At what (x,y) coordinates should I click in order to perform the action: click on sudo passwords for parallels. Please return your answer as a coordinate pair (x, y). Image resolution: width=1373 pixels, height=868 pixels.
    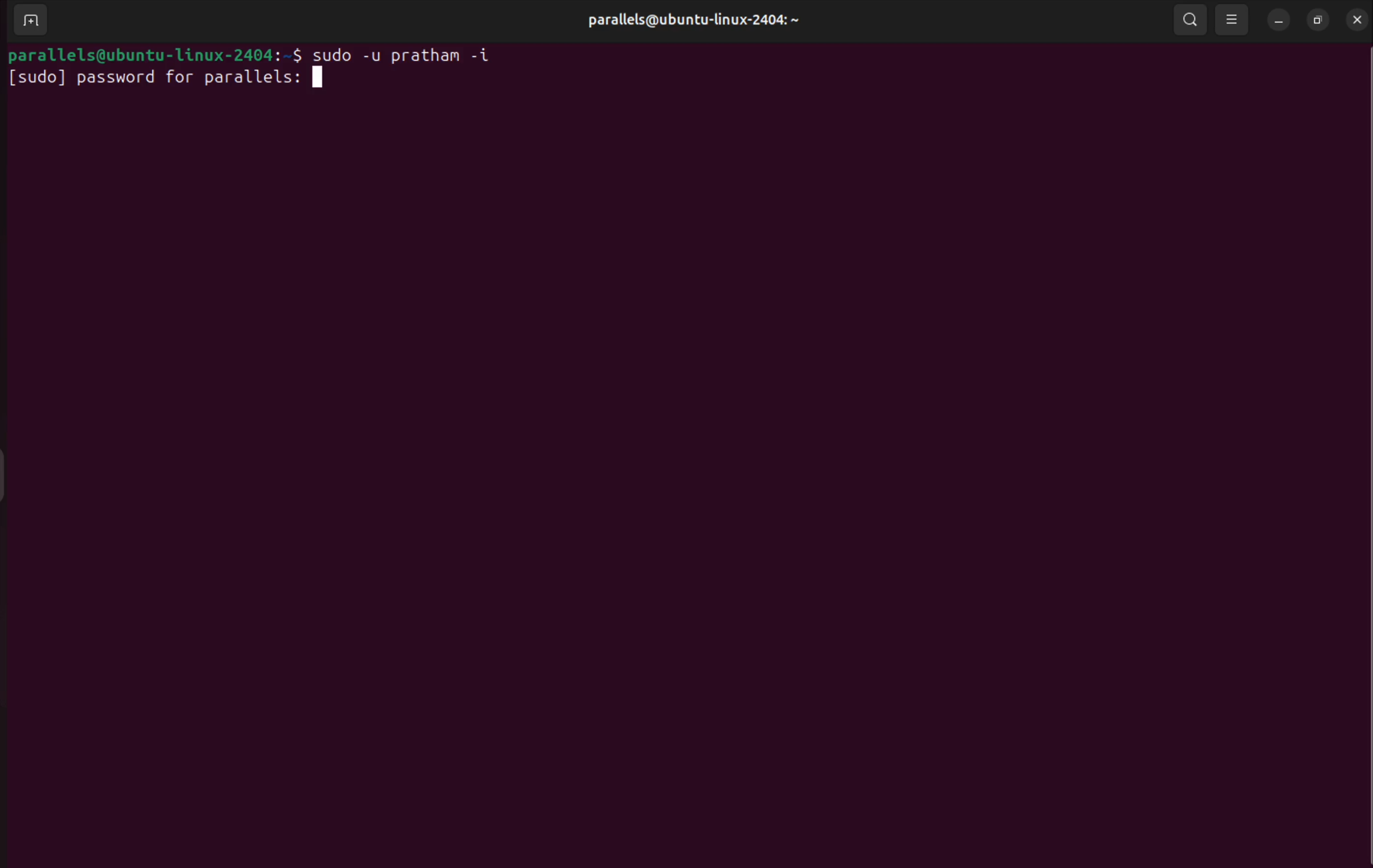
    Looking at the image, I should click on (152, 77).